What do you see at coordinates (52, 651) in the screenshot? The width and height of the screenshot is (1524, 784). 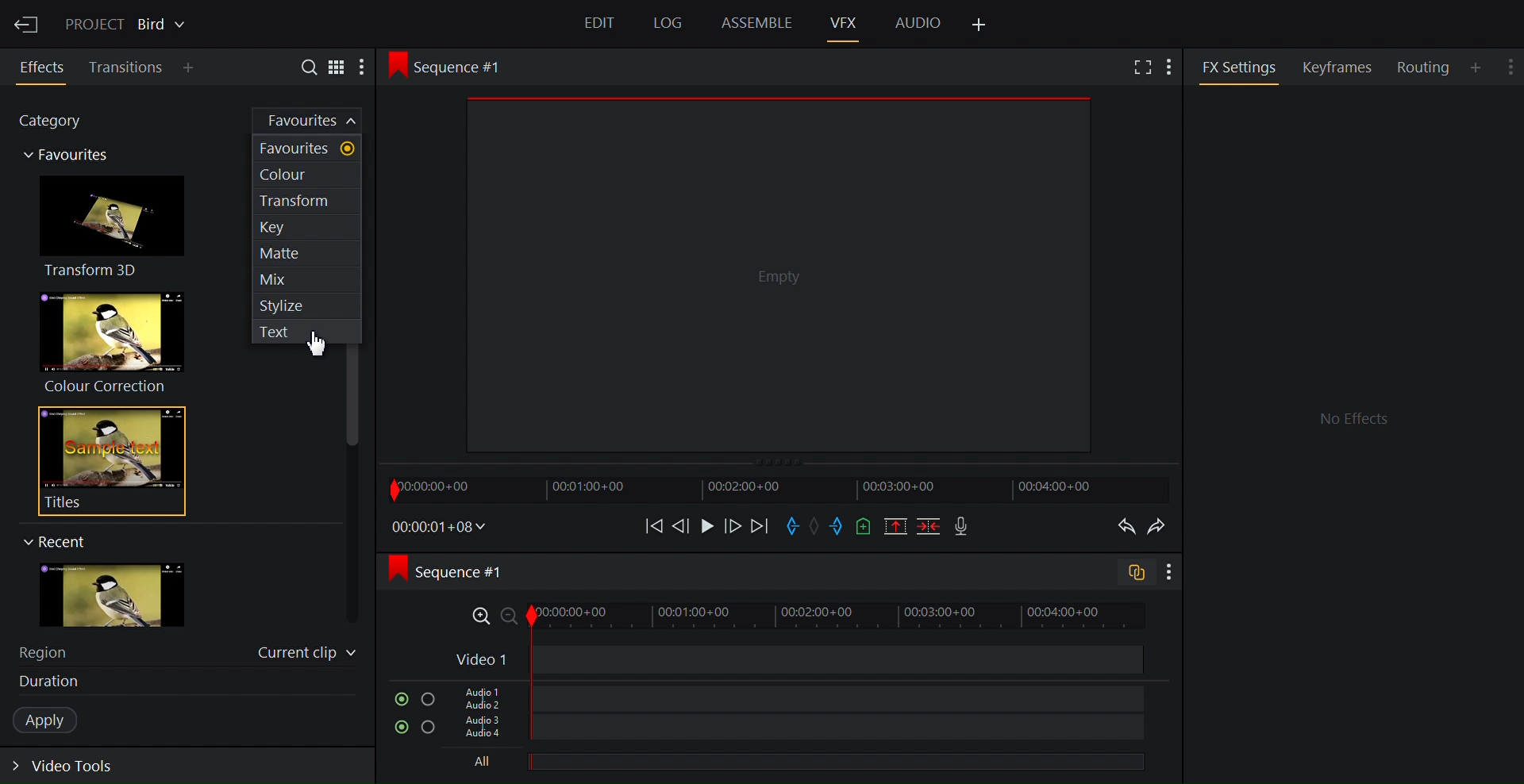 I see `Region` at bounding box center [52, 651].